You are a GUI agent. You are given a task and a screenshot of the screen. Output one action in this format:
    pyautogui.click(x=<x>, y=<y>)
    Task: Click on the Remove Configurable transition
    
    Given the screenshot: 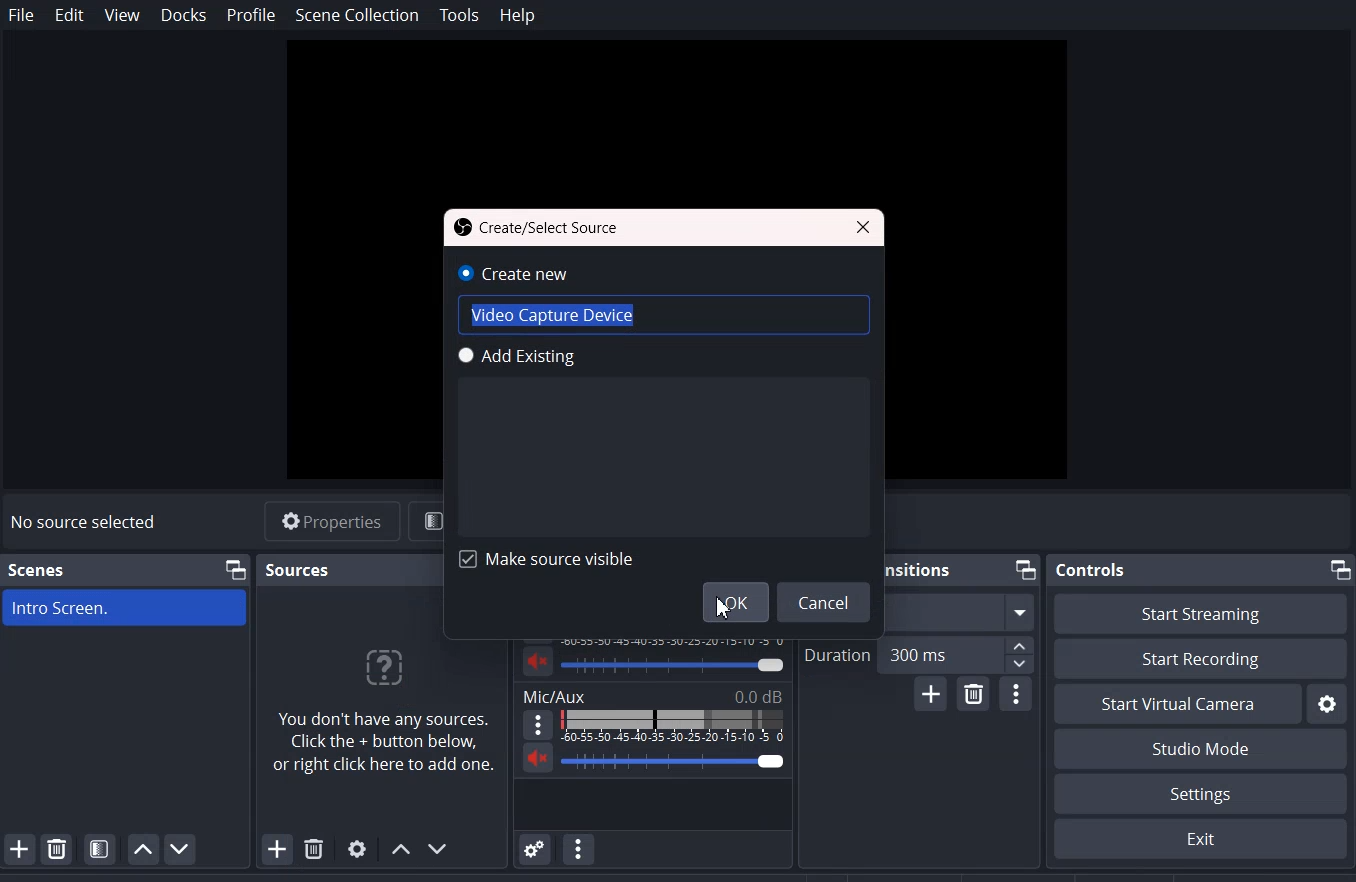 What is the action you would take?
    pyautogui.click(x=975, y=695)
    